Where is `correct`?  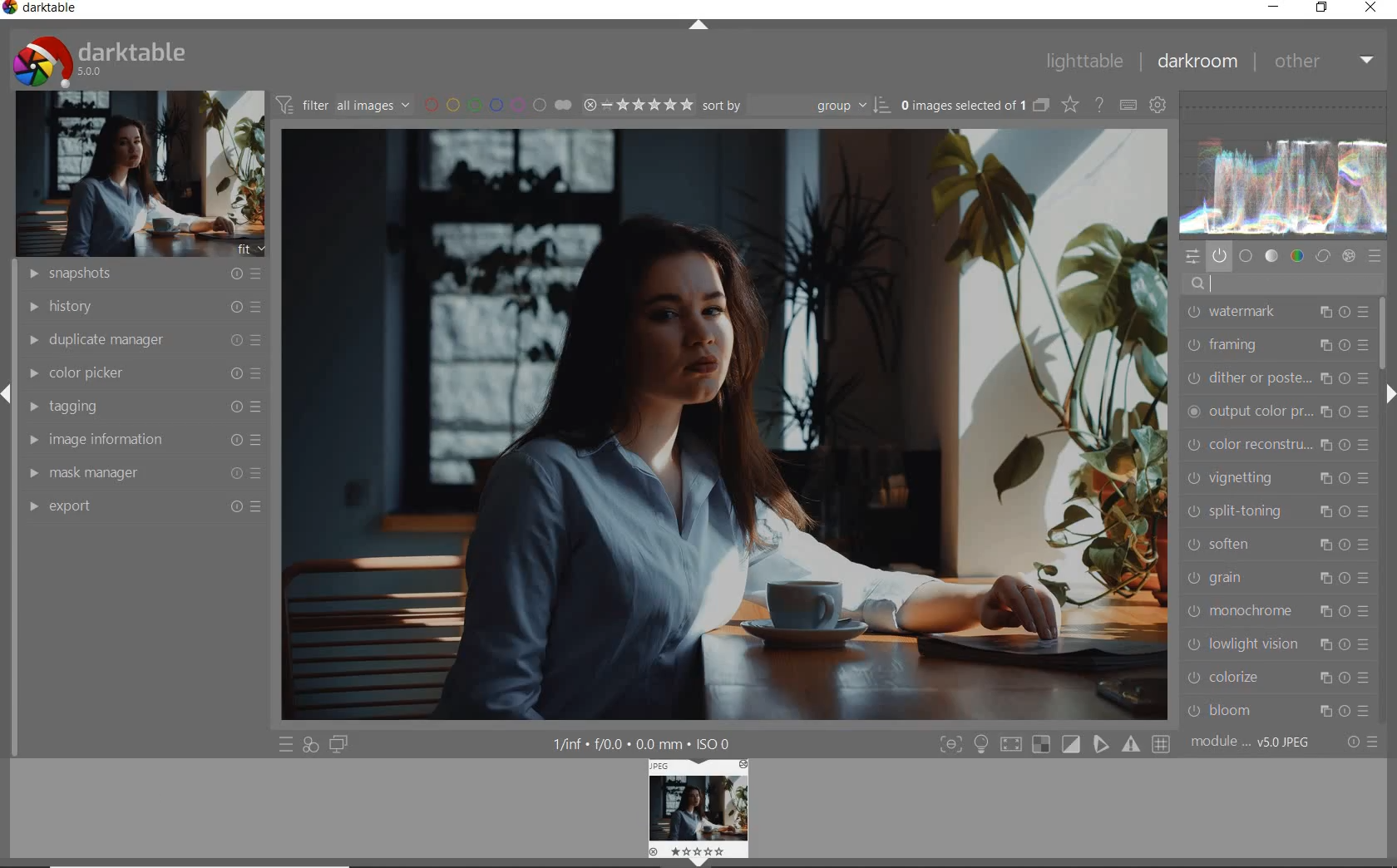
correct is located at coordinates (1322, 255).